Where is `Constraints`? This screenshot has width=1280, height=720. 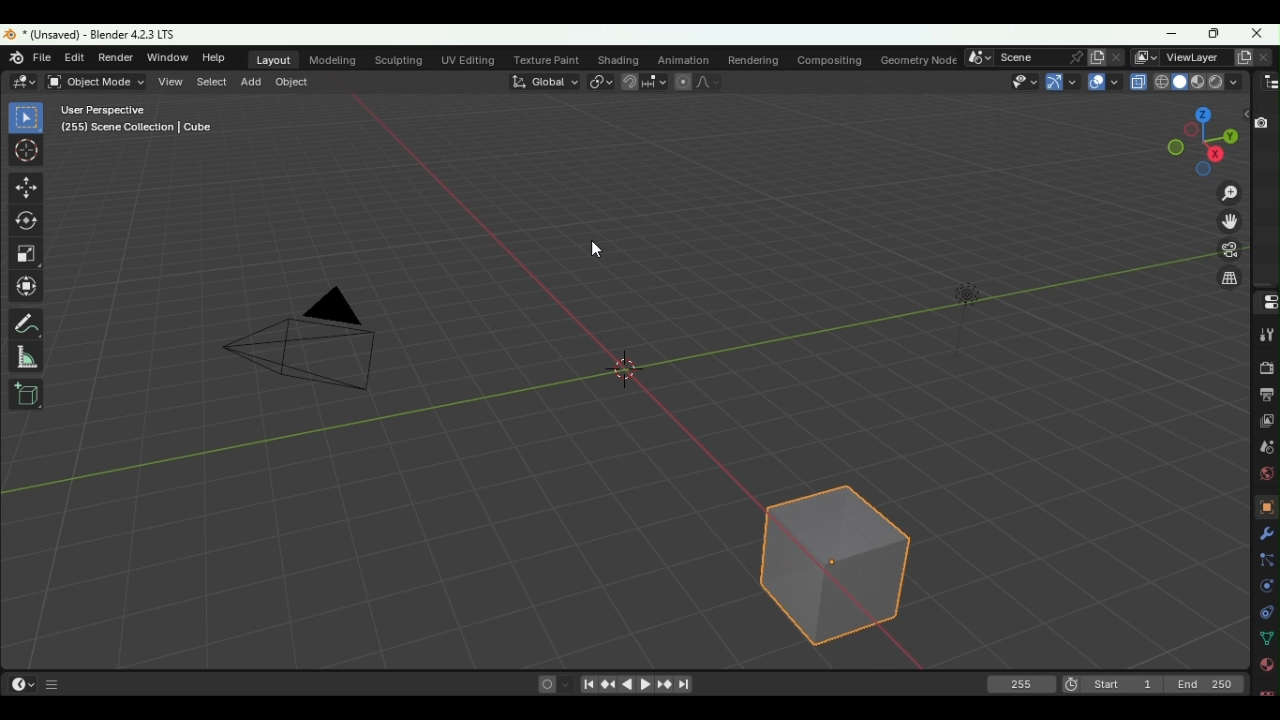
Constraints is located at coordinates (1266, 612).